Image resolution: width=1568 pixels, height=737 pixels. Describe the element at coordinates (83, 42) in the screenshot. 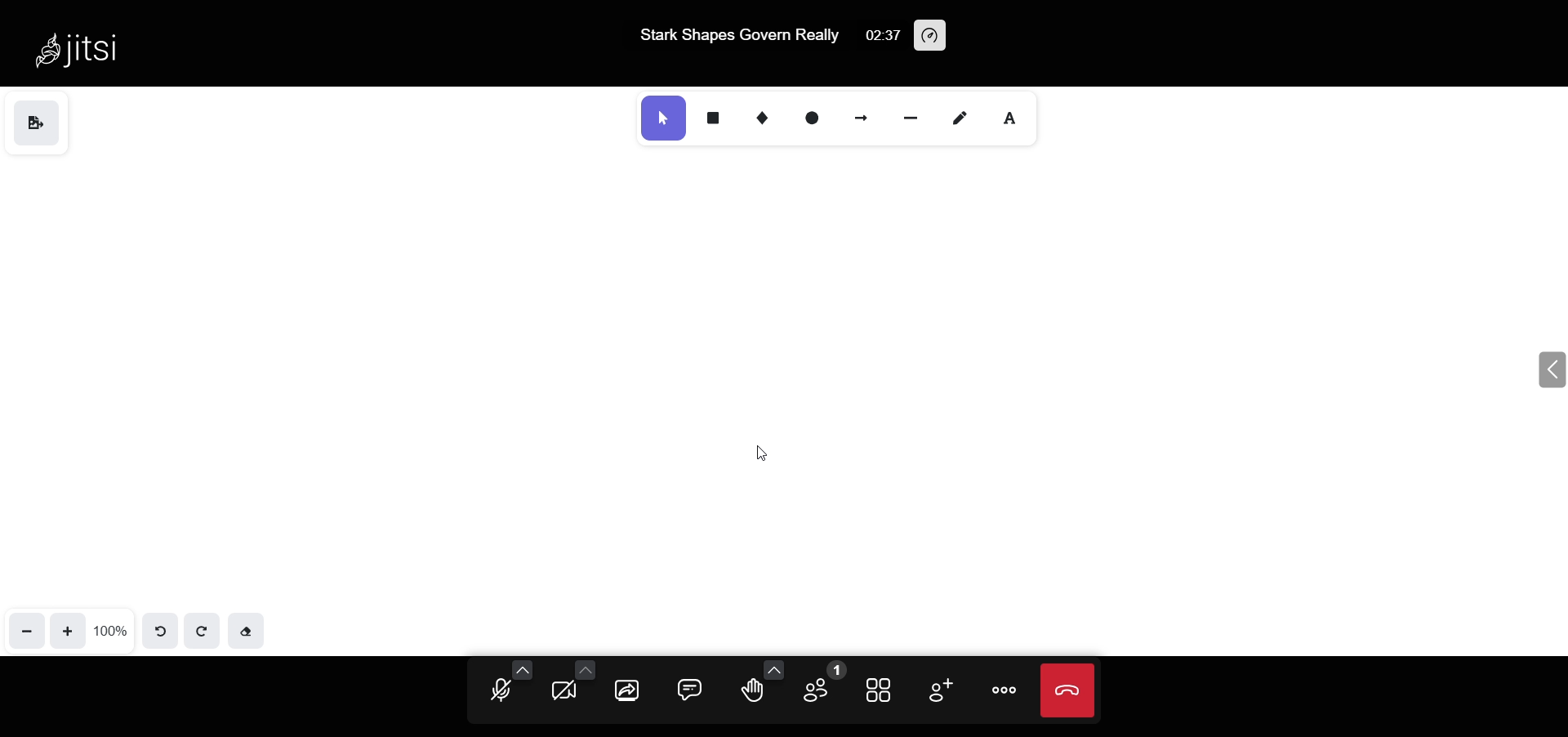

I see `Jitsi` at that location.